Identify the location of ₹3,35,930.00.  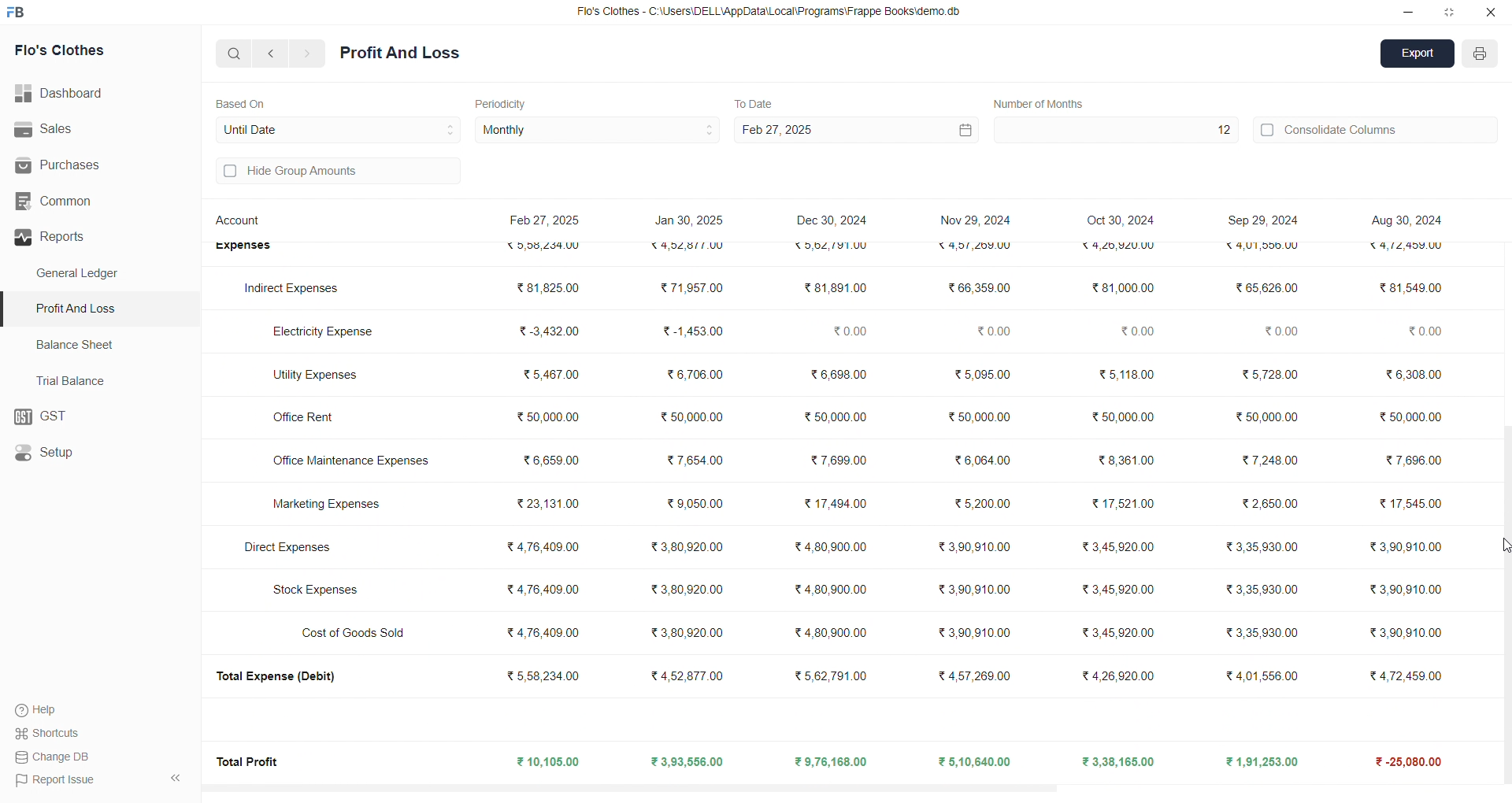
(1256, 589).